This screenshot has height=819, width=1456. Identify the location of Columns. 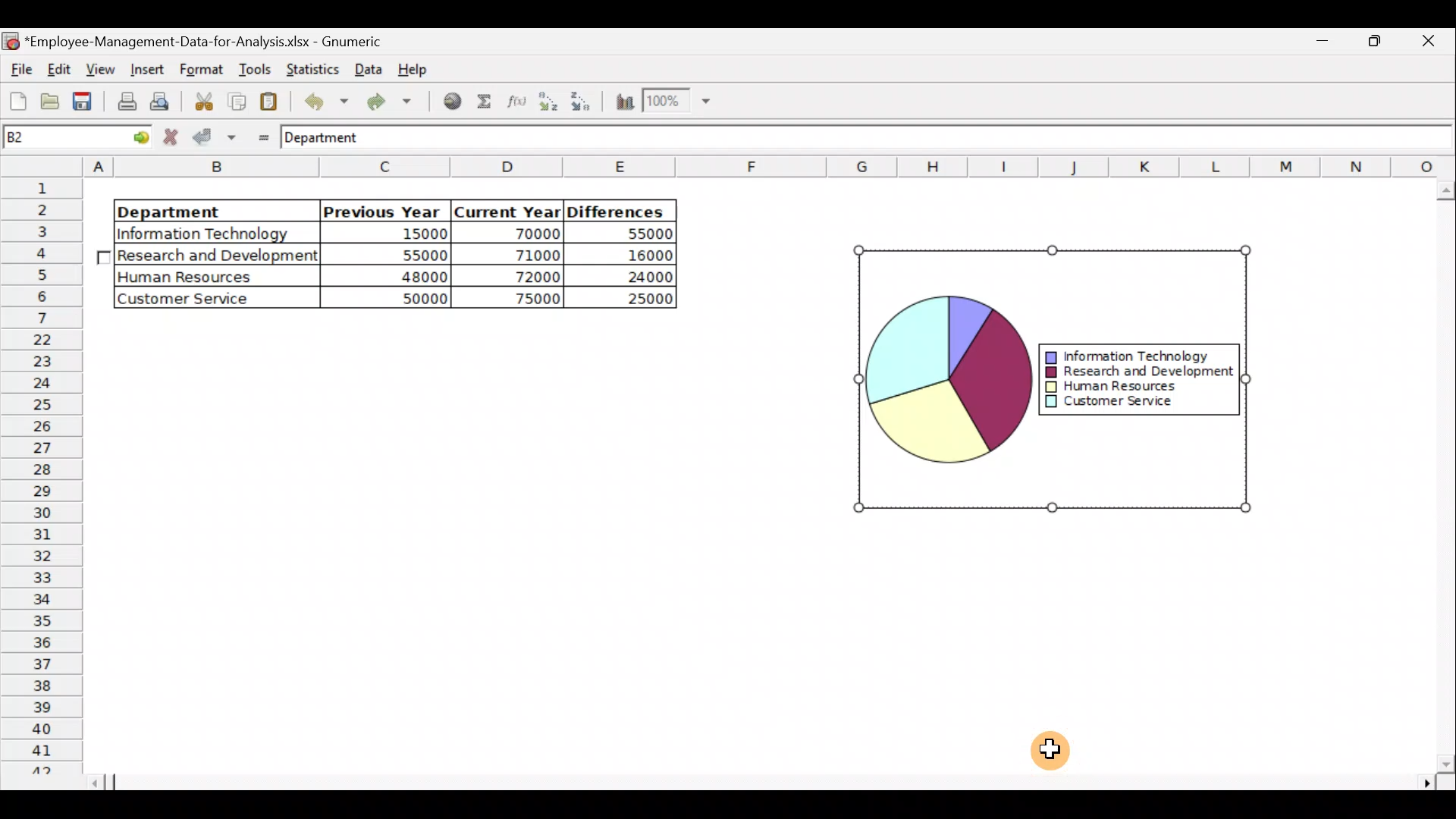
(770, 166).